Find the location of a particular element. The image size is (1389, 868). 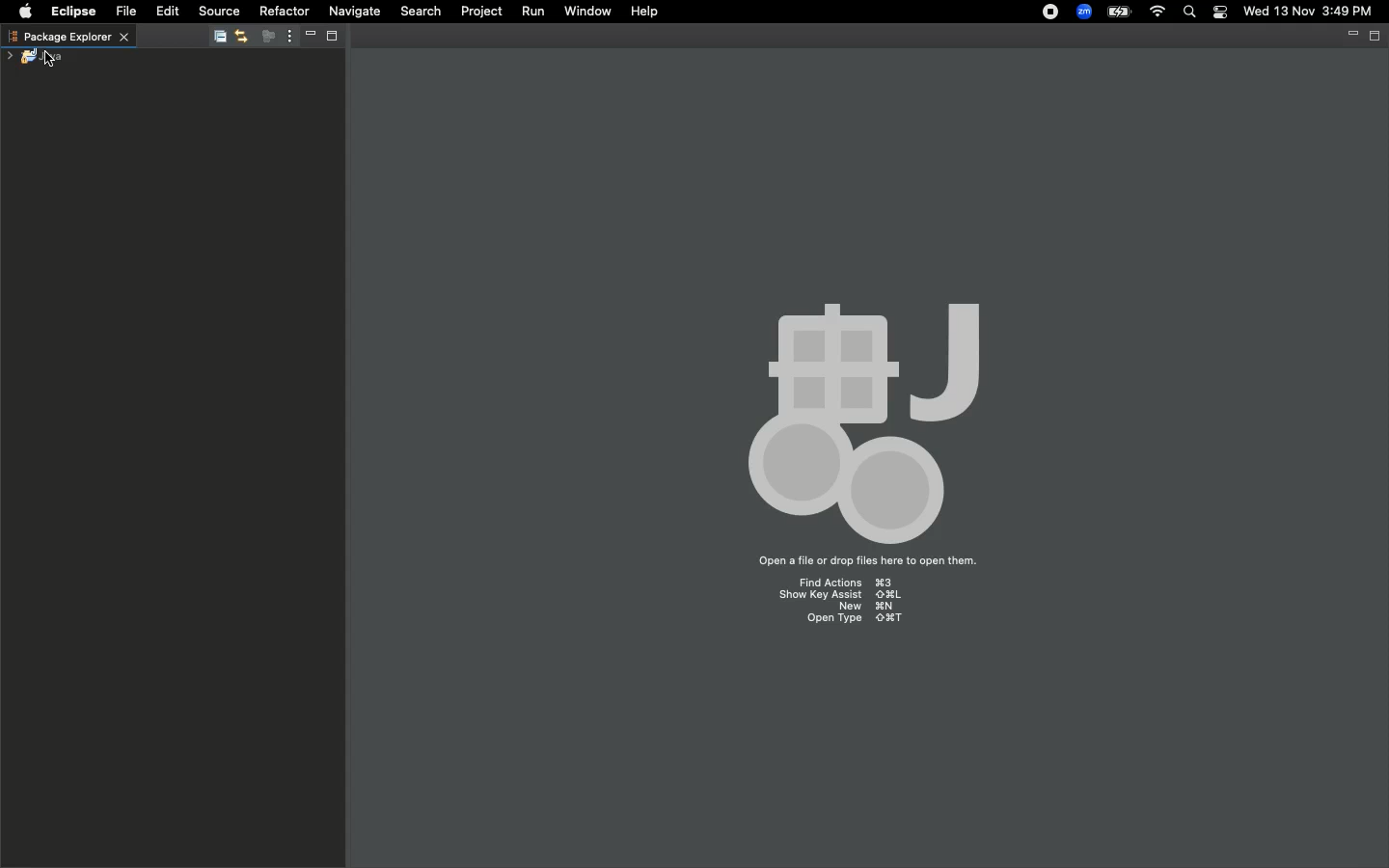

Minimize is located at coordinates (309, 37).